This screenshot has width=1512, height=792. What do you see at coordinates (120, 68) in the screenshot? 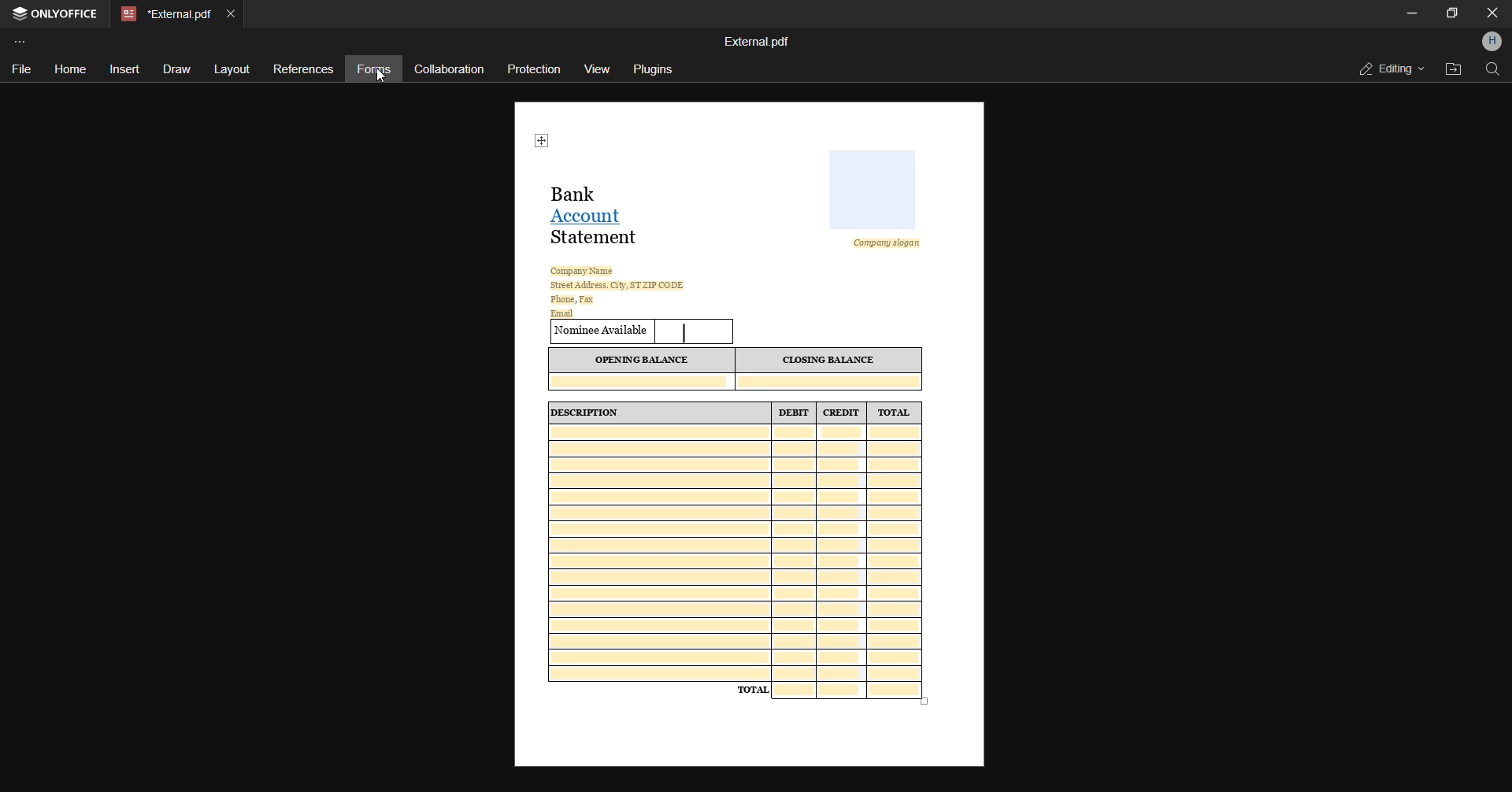
I see `insert` at bounding box center [120, 68].